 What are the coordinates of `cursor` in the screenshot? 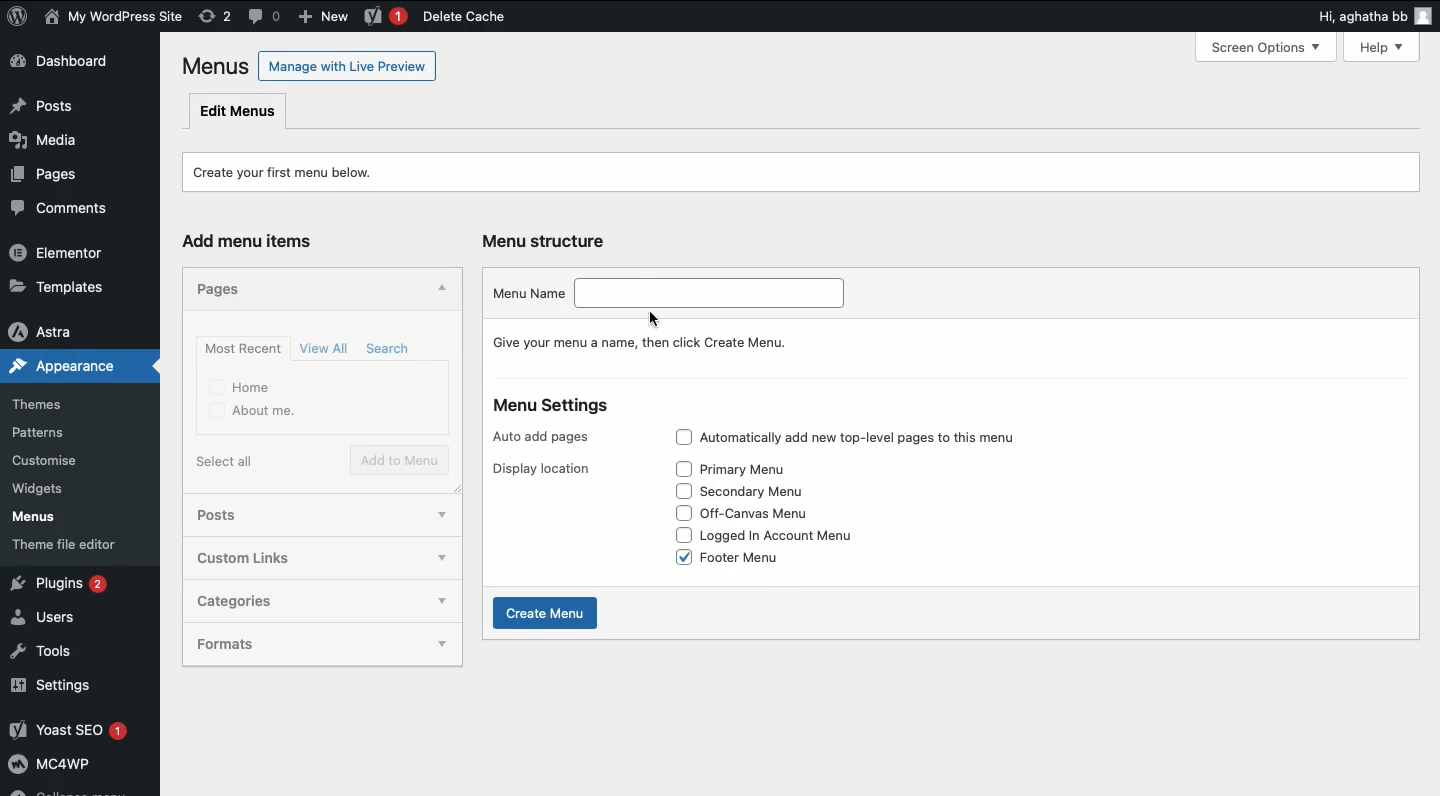 It's located at (655, 319).